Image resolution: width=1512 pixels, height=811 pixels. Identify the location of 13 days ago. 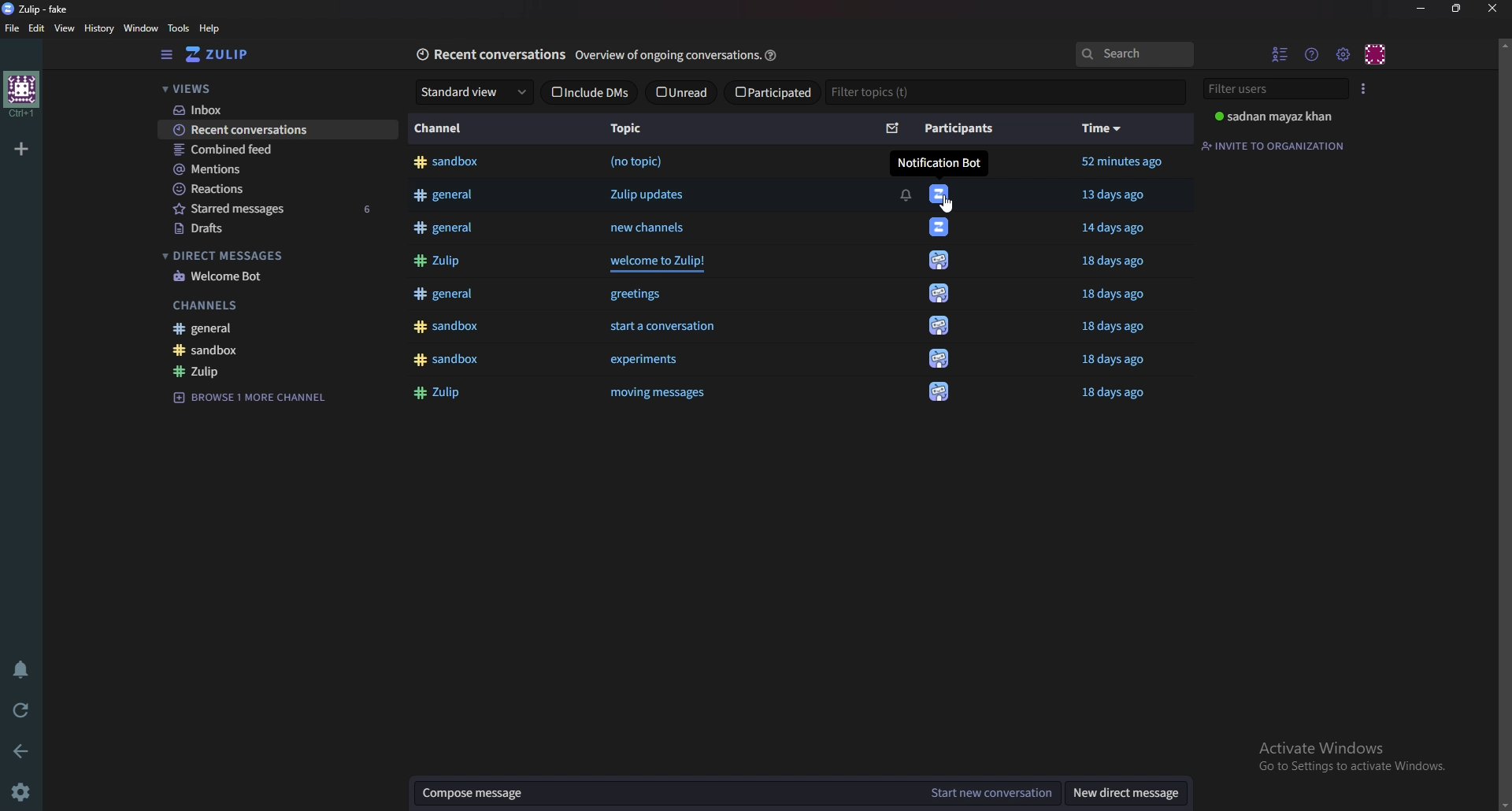
(1113, 194).